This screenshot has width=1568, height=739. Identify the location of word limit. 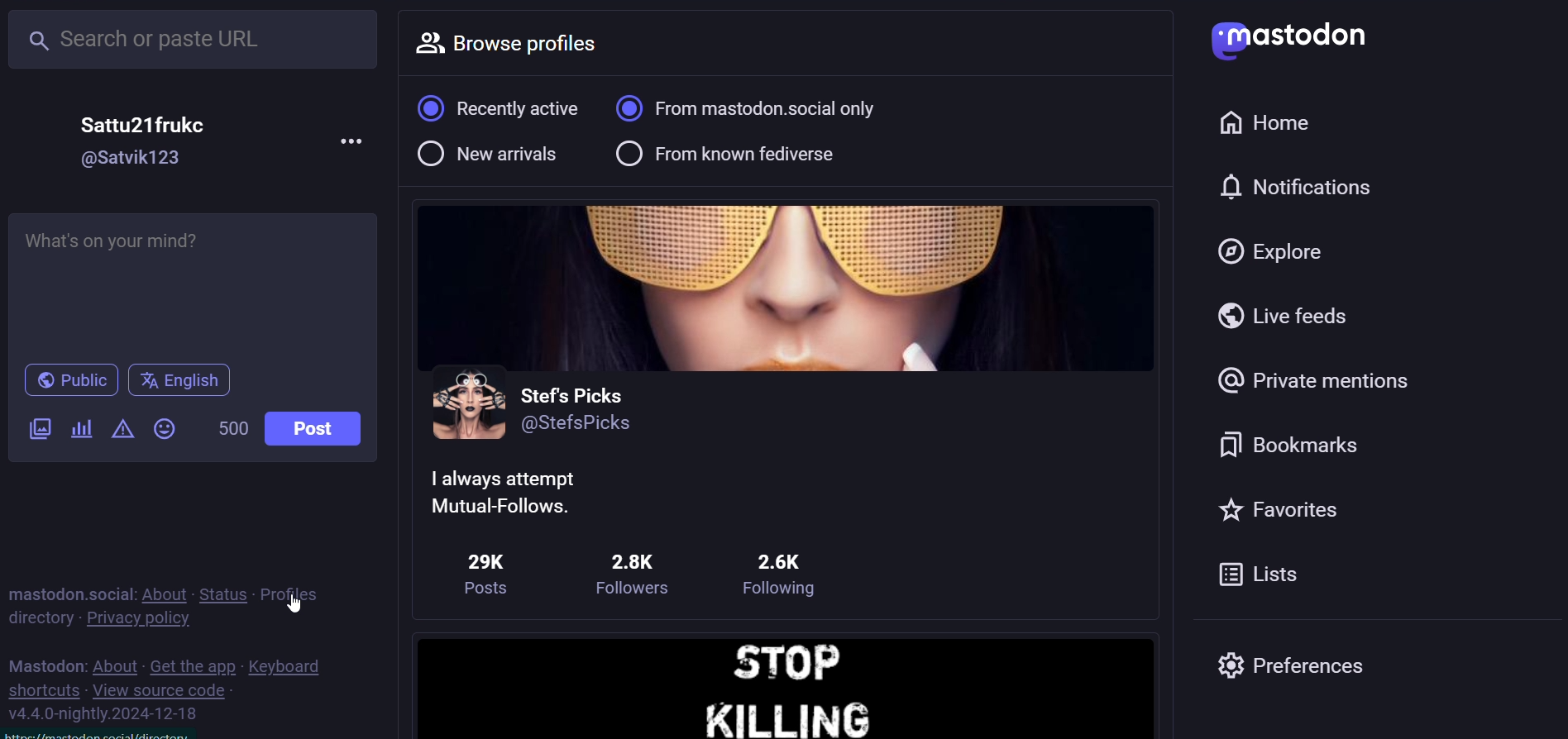
(233, 427).